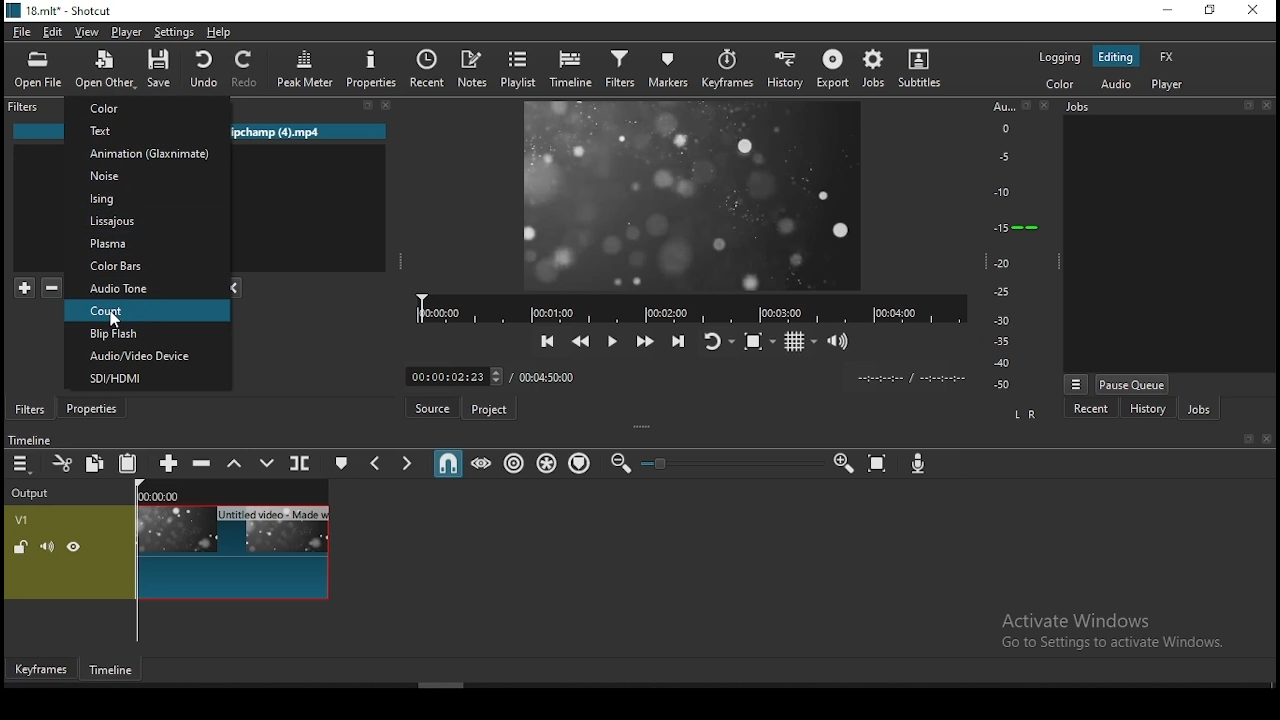  I want to click on close window, so click(1254, 13).